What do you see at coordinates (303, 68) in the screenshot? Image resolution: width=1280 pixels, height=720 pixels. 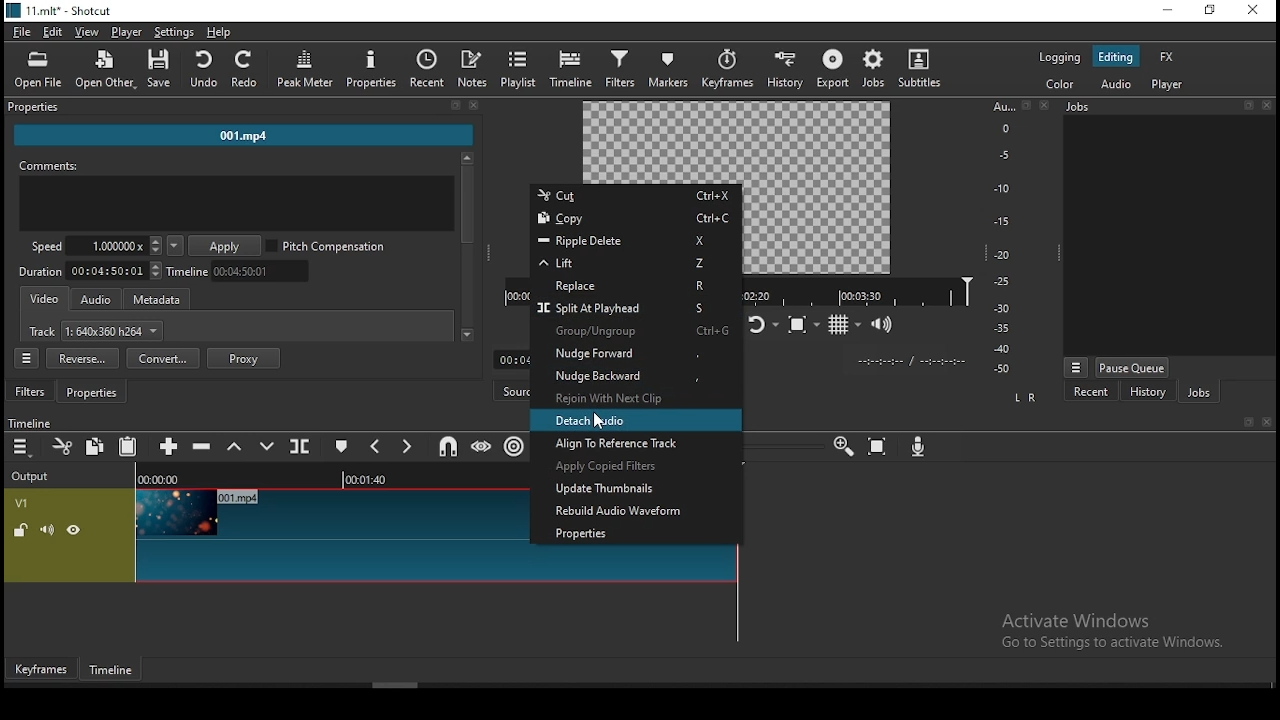 I see `peak meter` at bounding box center [303, 68].